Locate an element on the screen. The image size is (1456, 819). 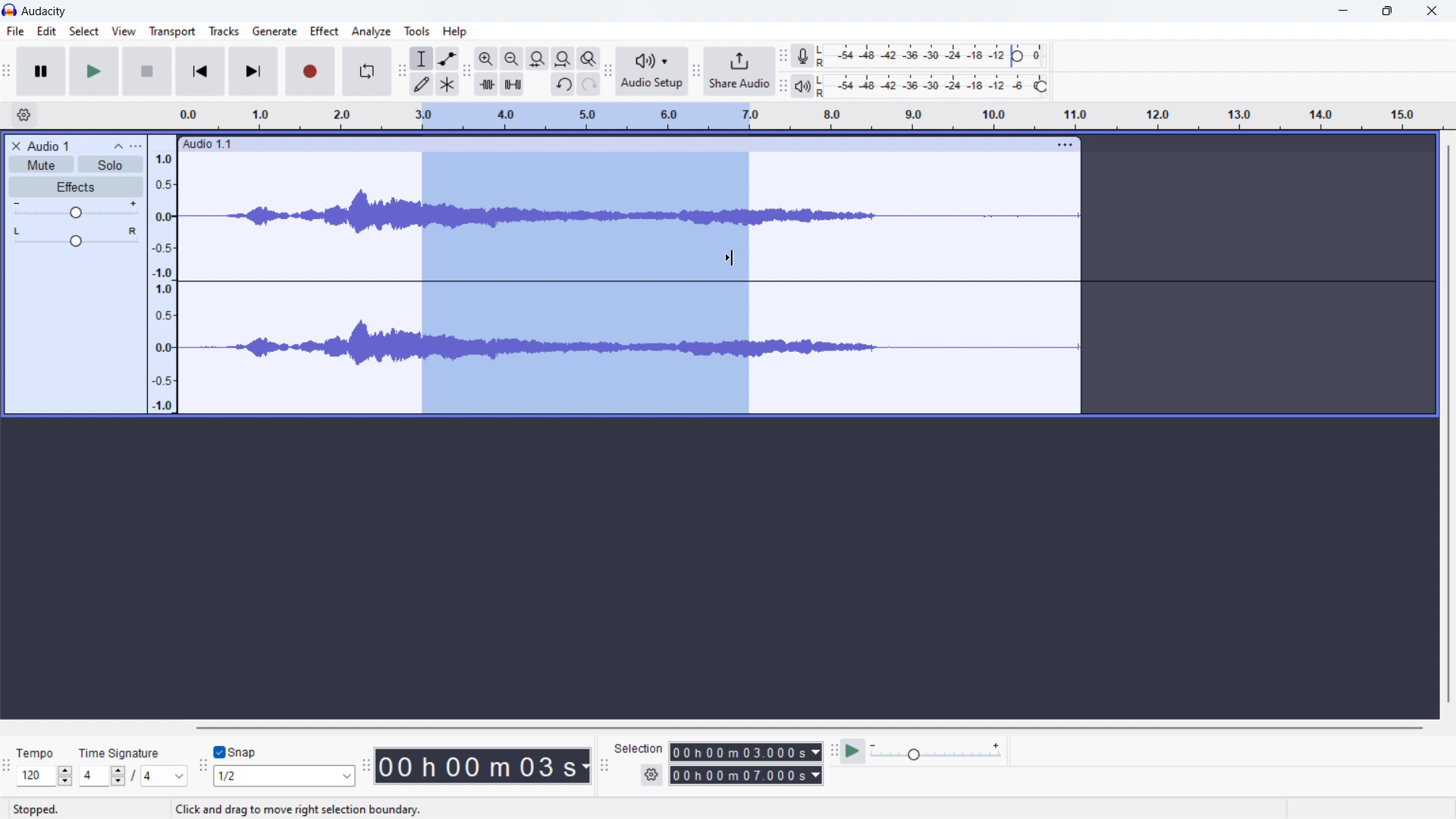
effect is located at coordinates (325, 31).